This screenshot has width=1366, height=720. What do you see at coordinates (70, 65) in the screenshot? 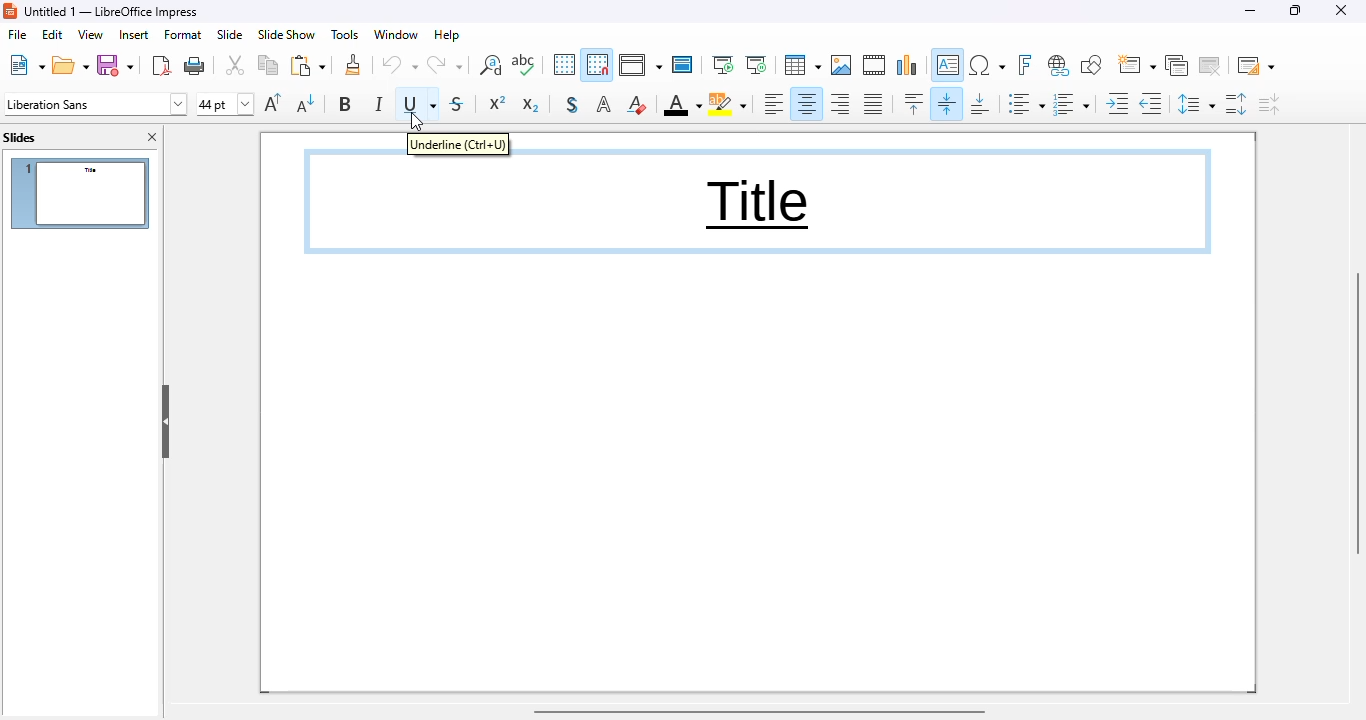
I see `open` at bounding box center [70, 65].